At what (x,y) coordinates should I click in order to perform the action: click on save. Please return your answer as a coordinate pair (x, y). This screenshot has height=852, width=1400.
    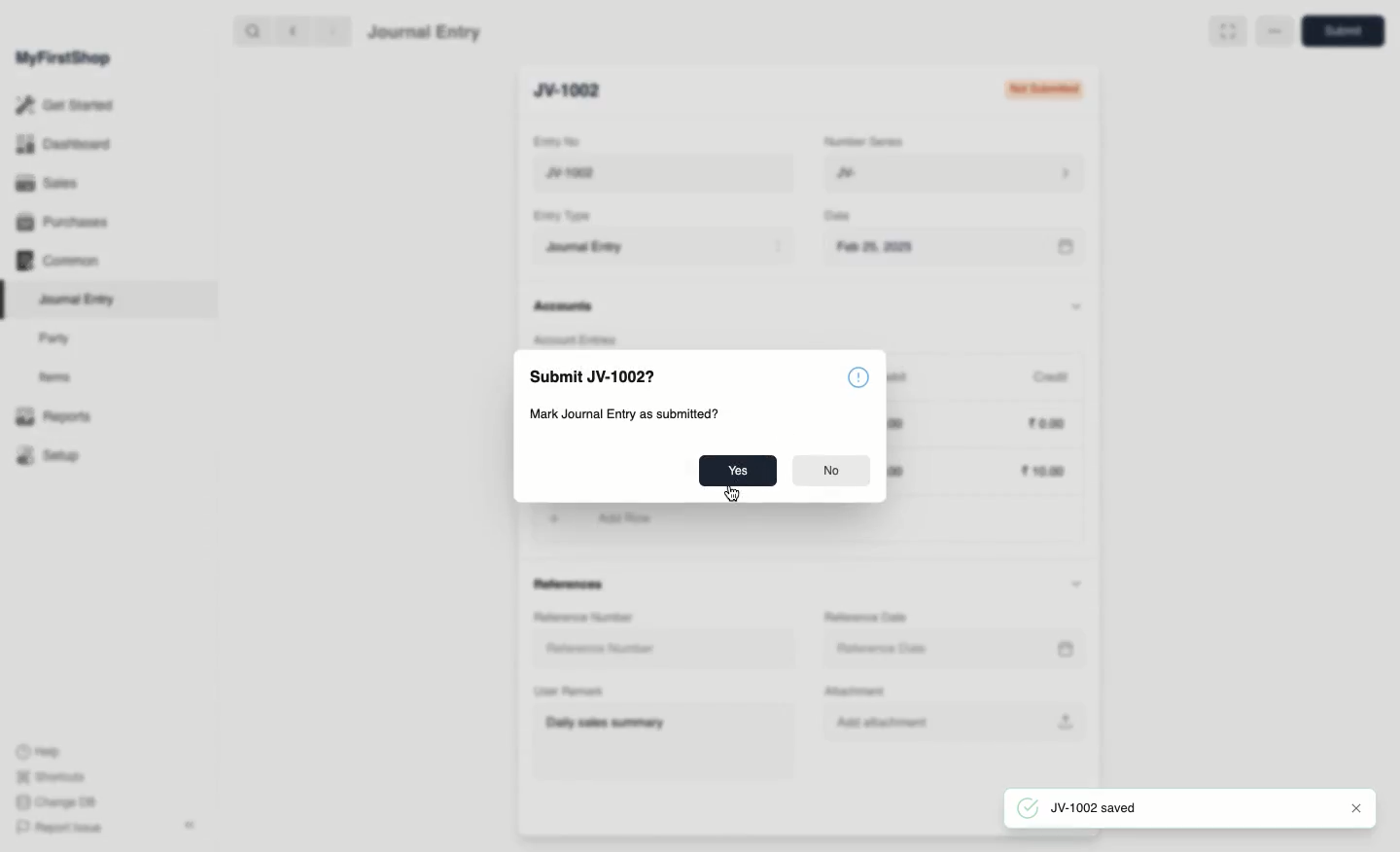
    Looking at the image, I should click on (1347, 32).